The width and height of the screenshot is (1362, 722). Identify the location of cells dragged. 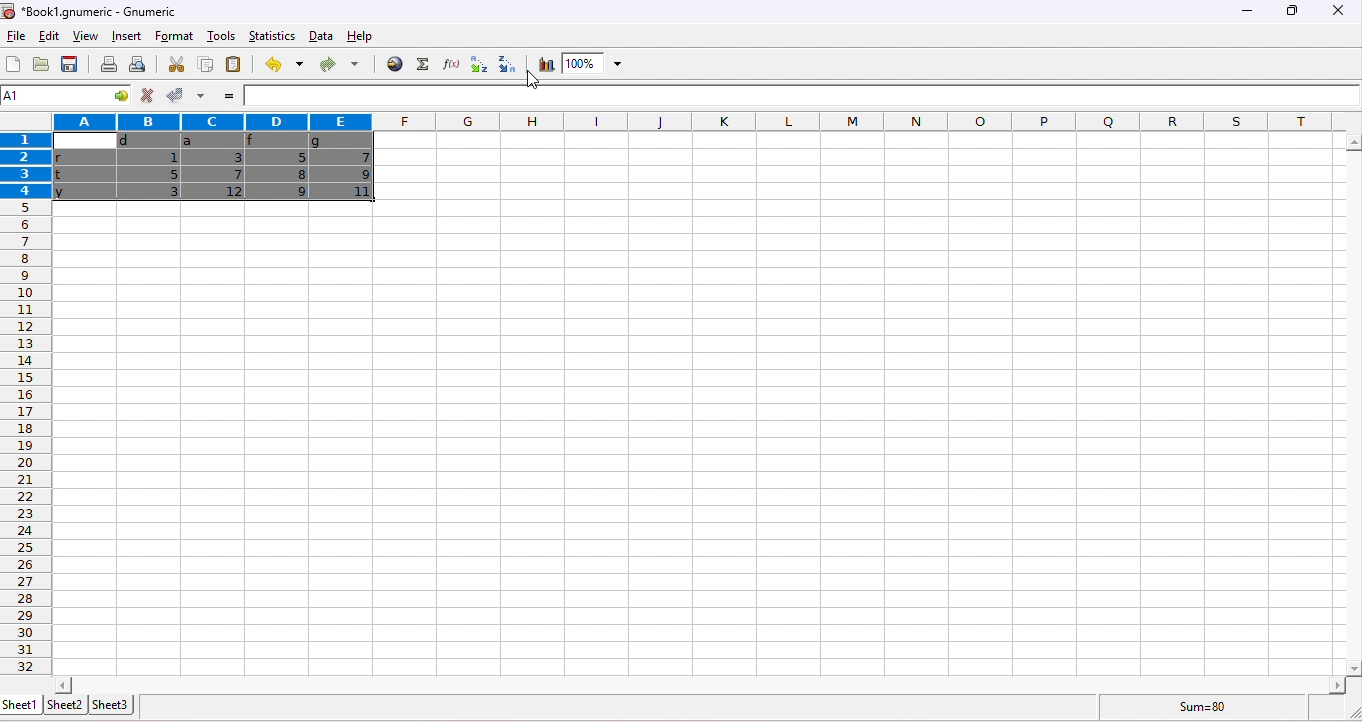
(215, 168).